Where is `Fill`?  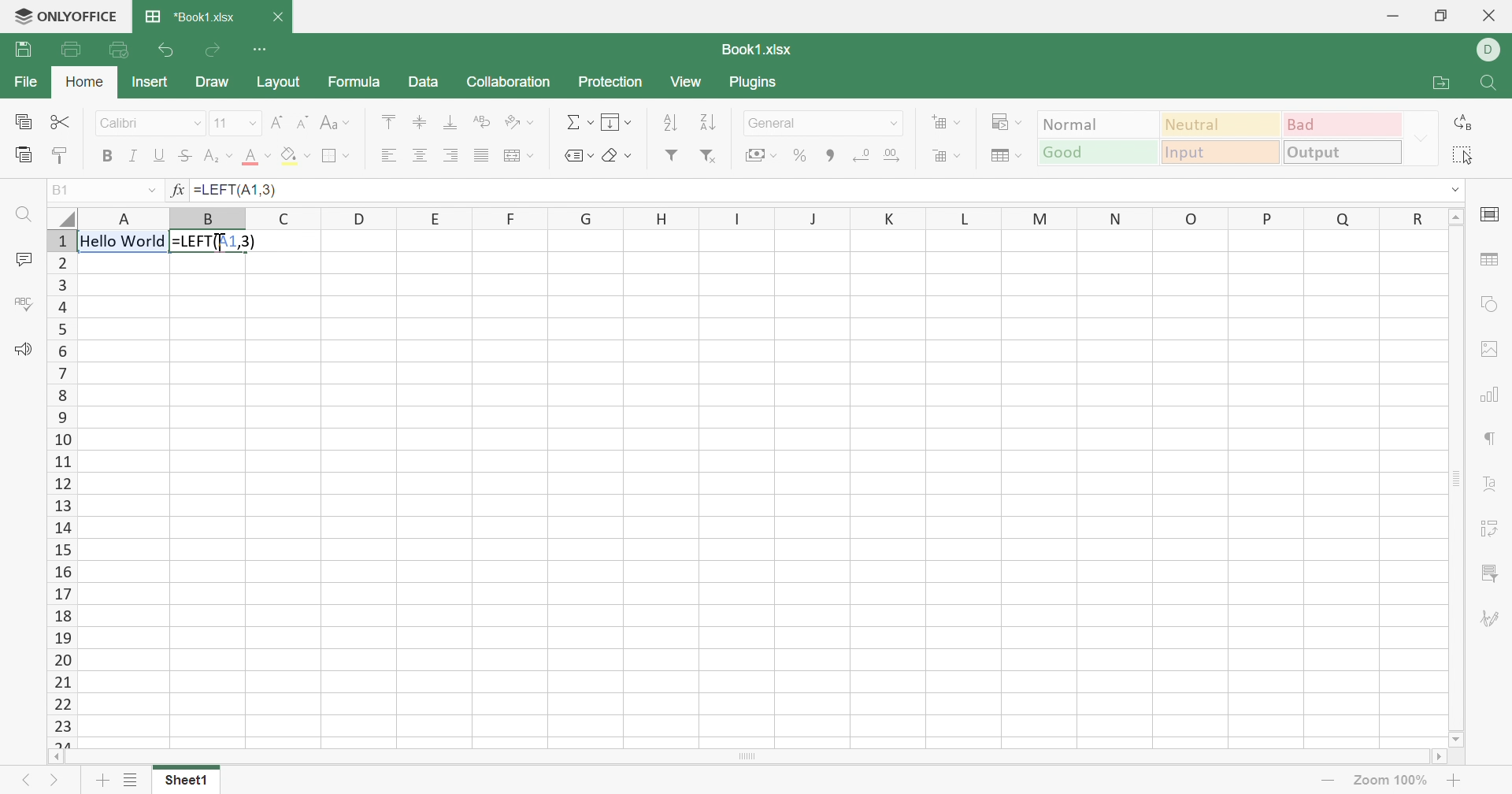
Fill is located at coordinates (615, 121).